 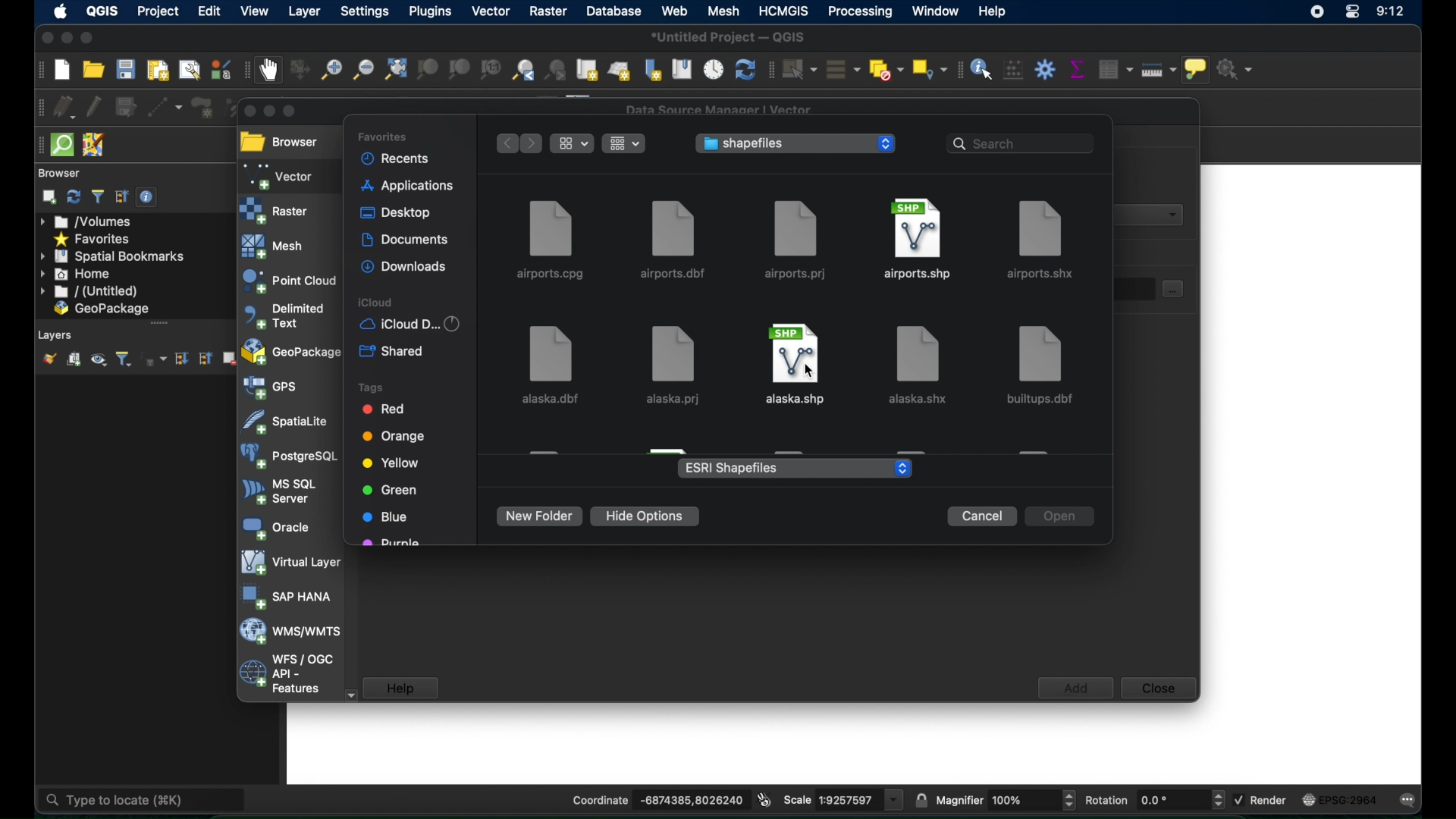 What do you see at coordinates (730, 36) in the screenshot?
I see `*Untitled Project - QGIS` at bounding box center [730, 36].